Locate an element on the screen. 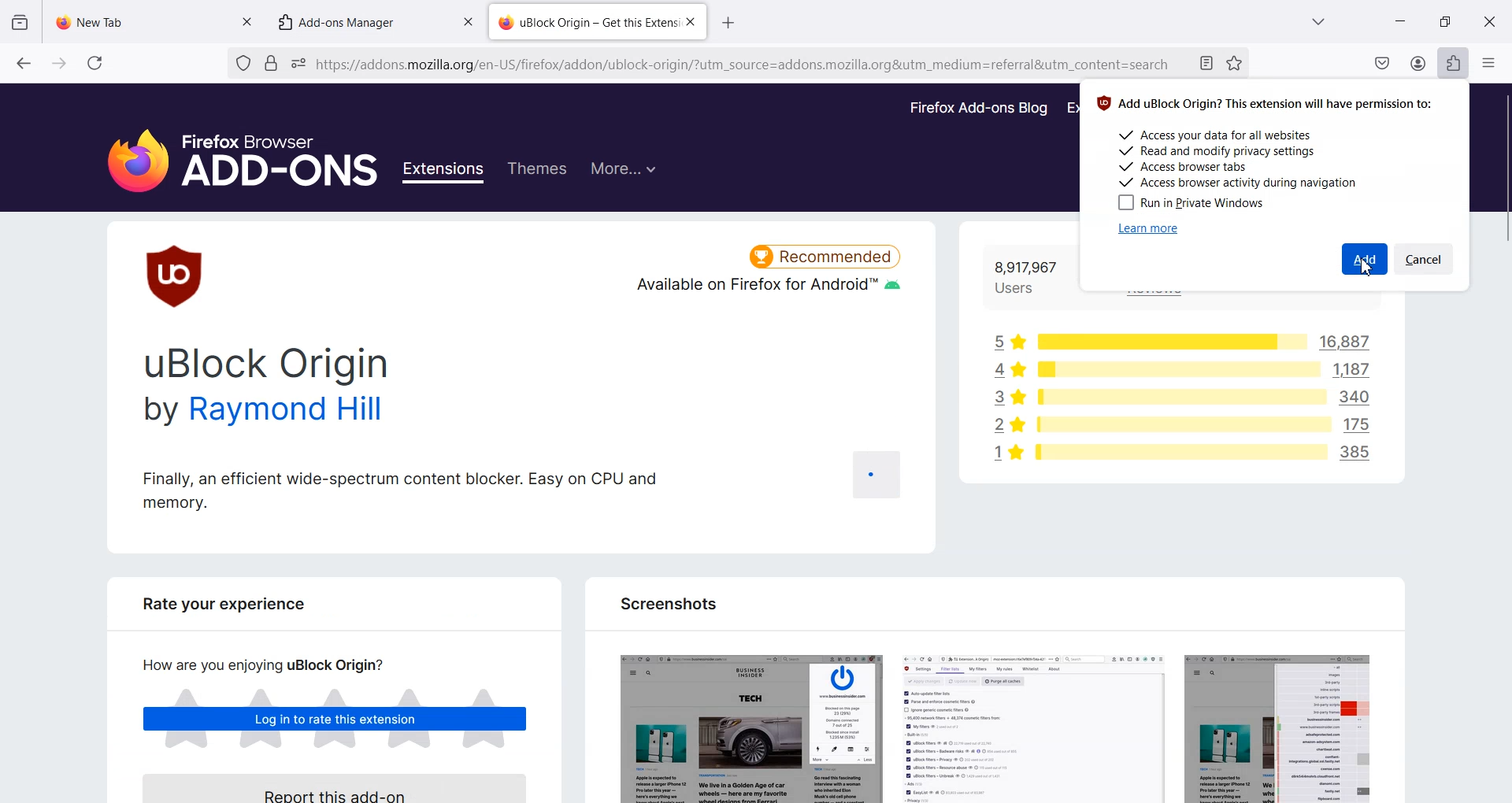 Image resolution: width=1512 pixels, height=803 pixels. Close tab is located at coordinates (246, 20).